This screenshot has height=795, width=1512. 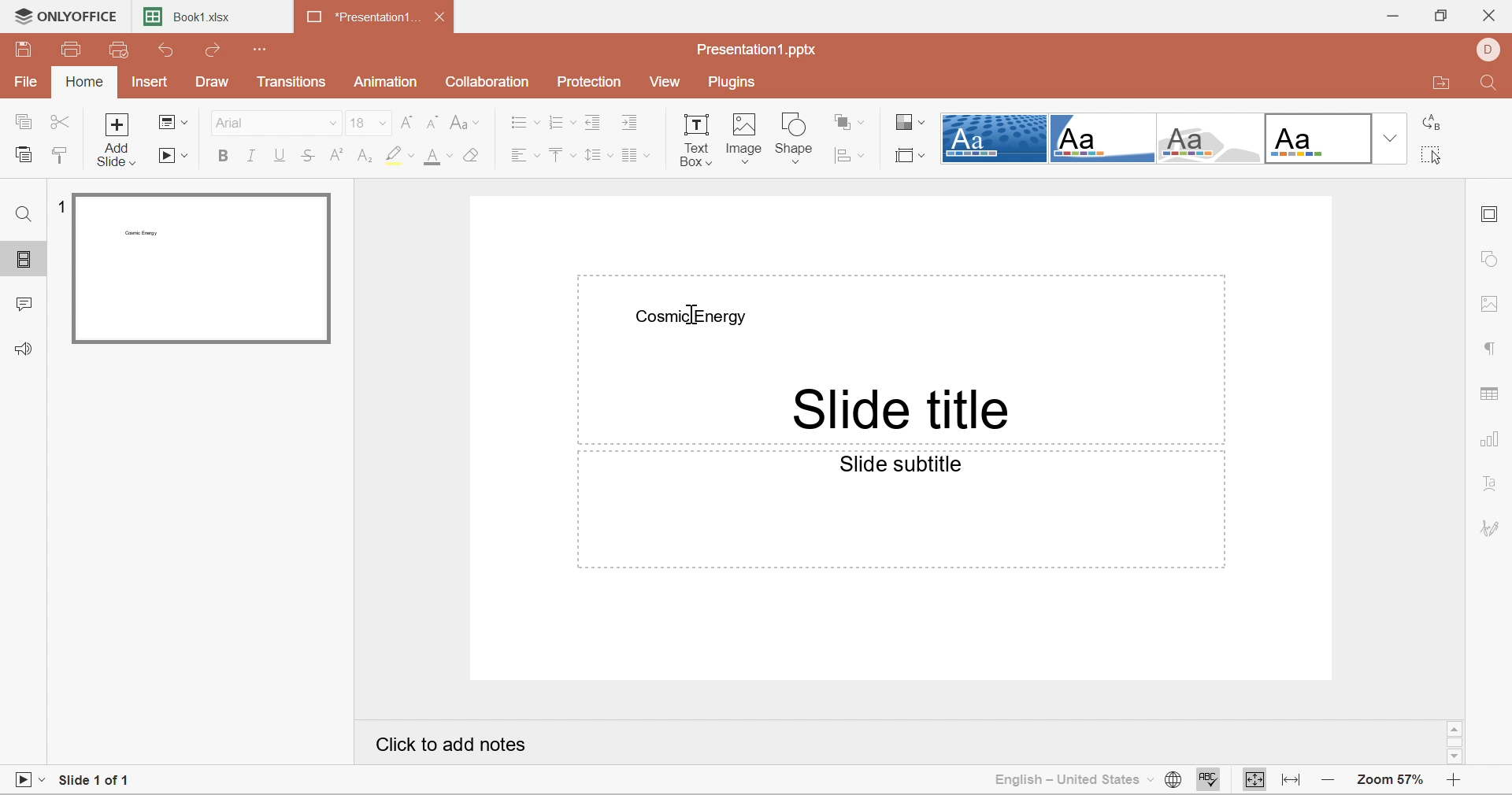 What do you see at coordinates (906, 466) in the screenshot?
I see `Slide subtitle` at bounding box center [906, 466].